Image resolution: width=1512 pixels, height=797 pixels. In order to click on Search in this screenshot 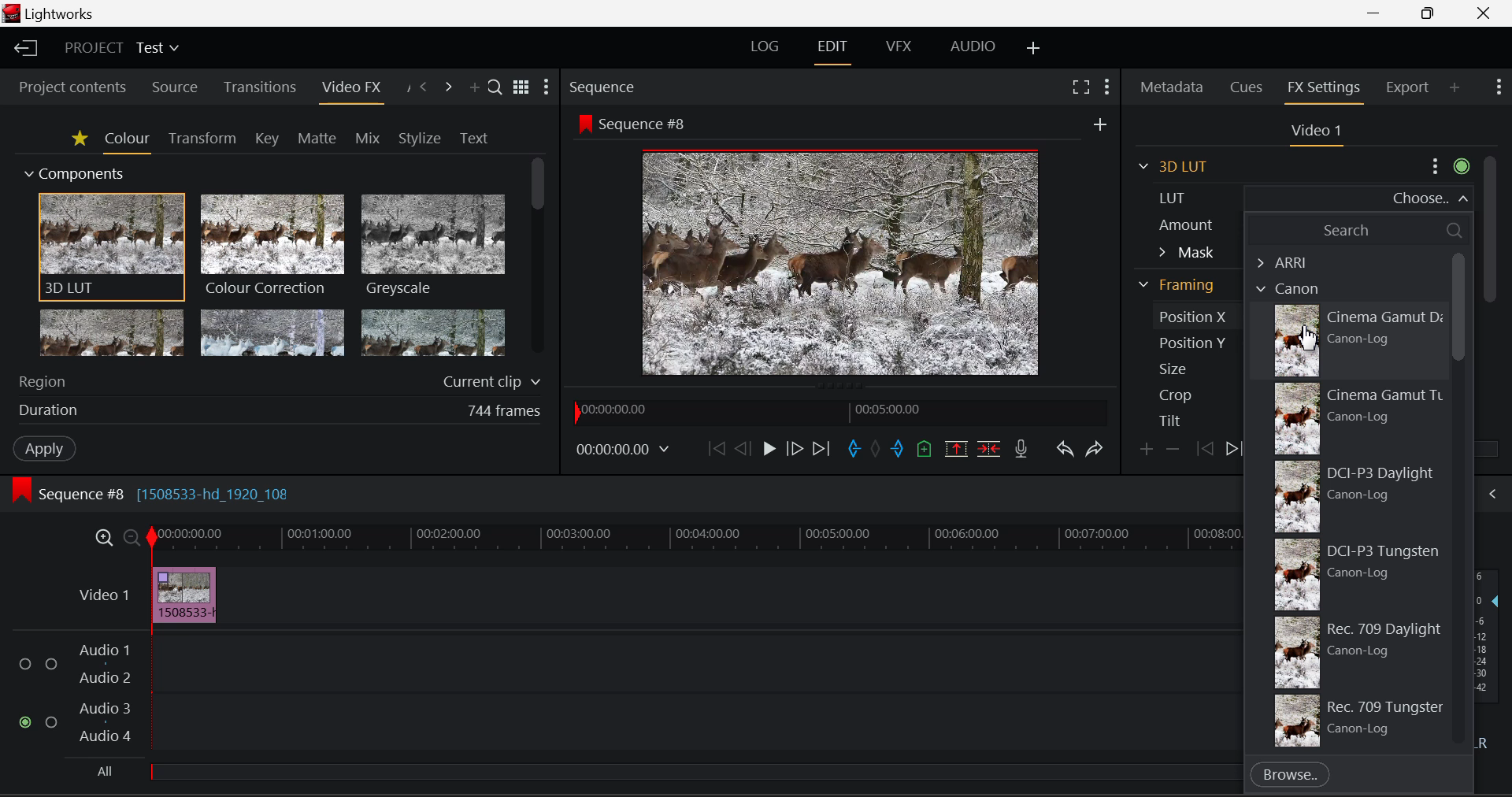, I will do `click(493, 83)`.